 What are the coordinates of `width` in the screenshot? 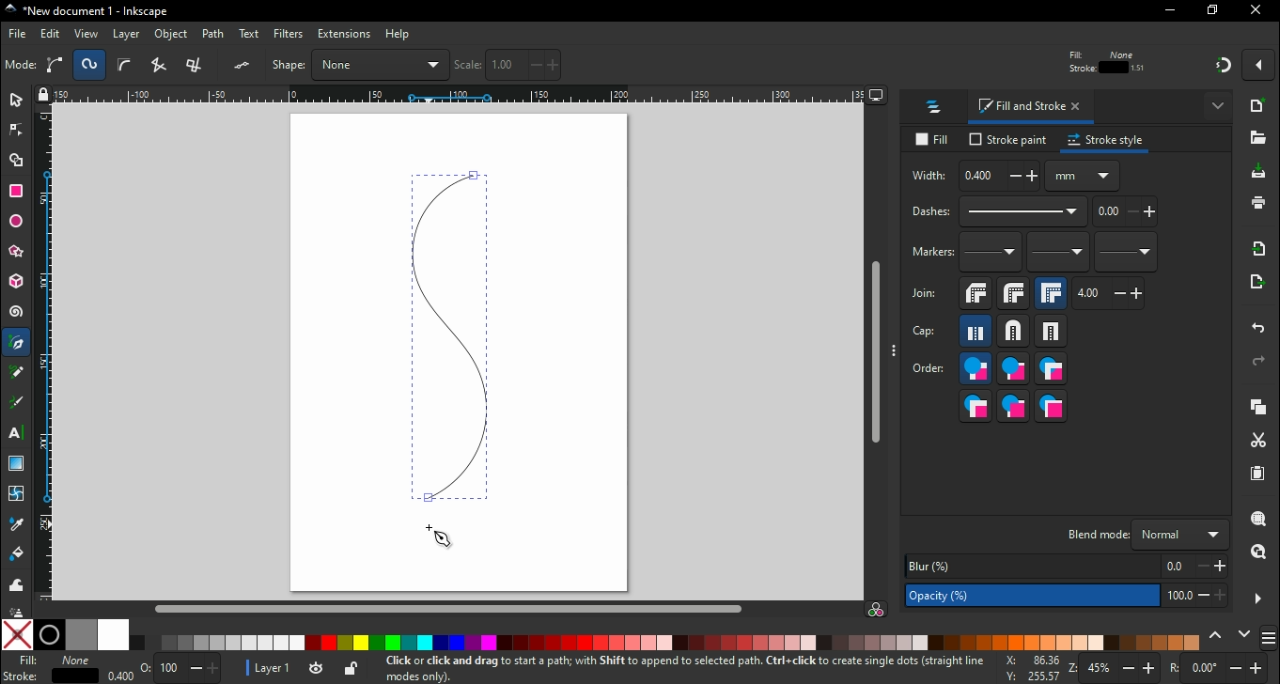 It's located at (976, 179).